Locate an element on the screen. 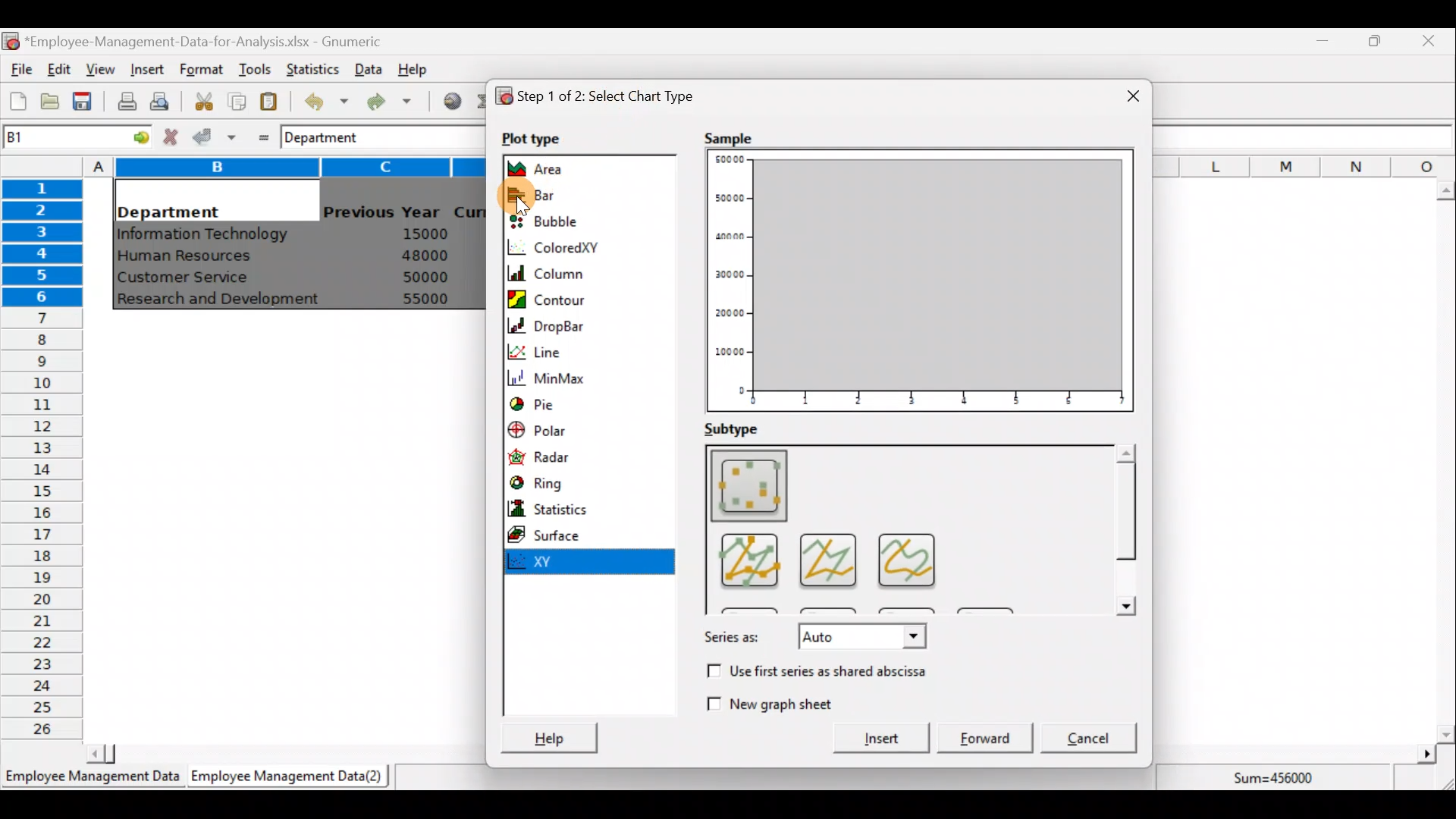 This screenshot has height=819, width=1456. Print preview is located at coordinates (159, 99).